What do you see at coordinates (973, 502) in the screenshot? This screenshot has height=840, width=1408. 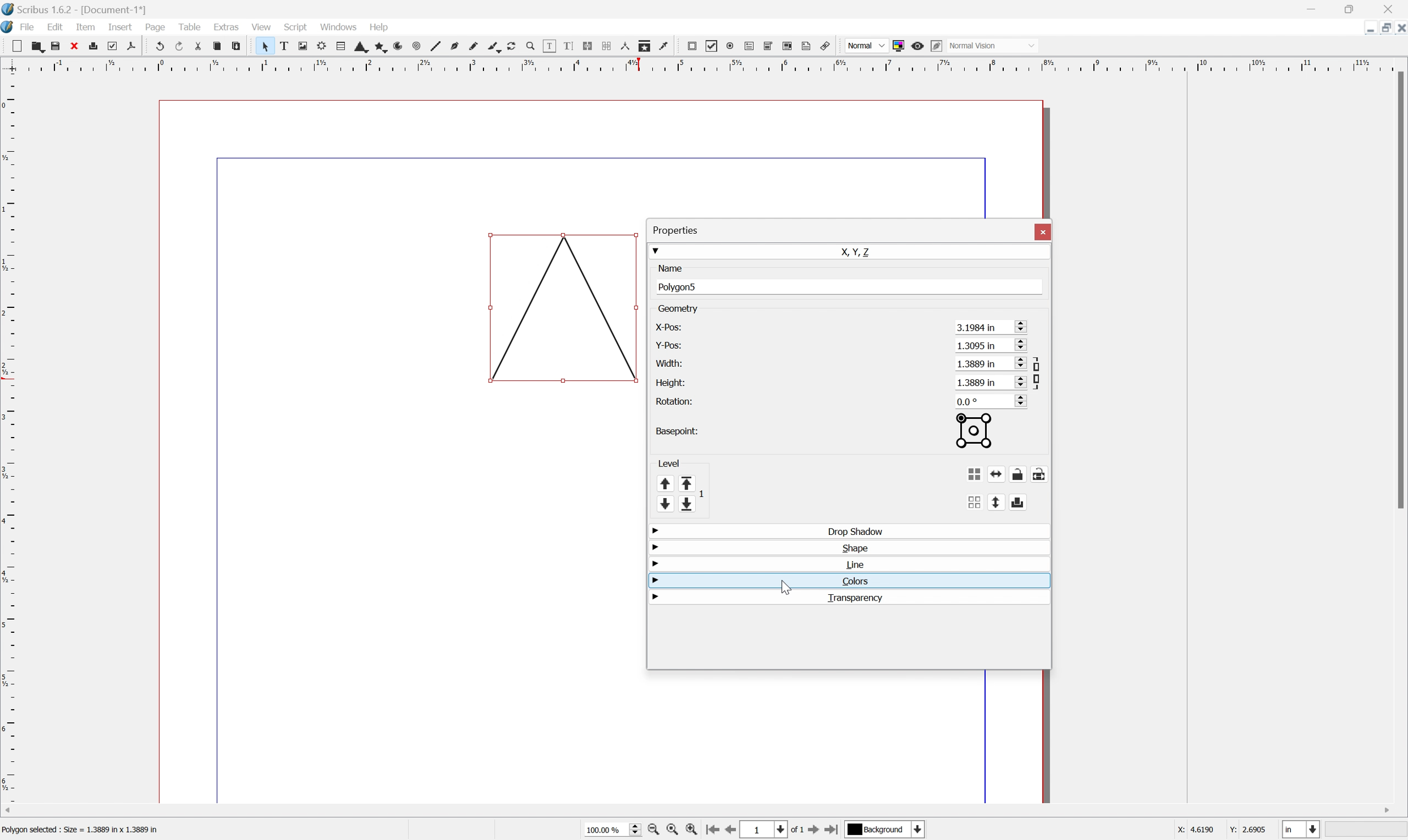 I see `Ungroup the selected group` at bounding box center [973, 502].